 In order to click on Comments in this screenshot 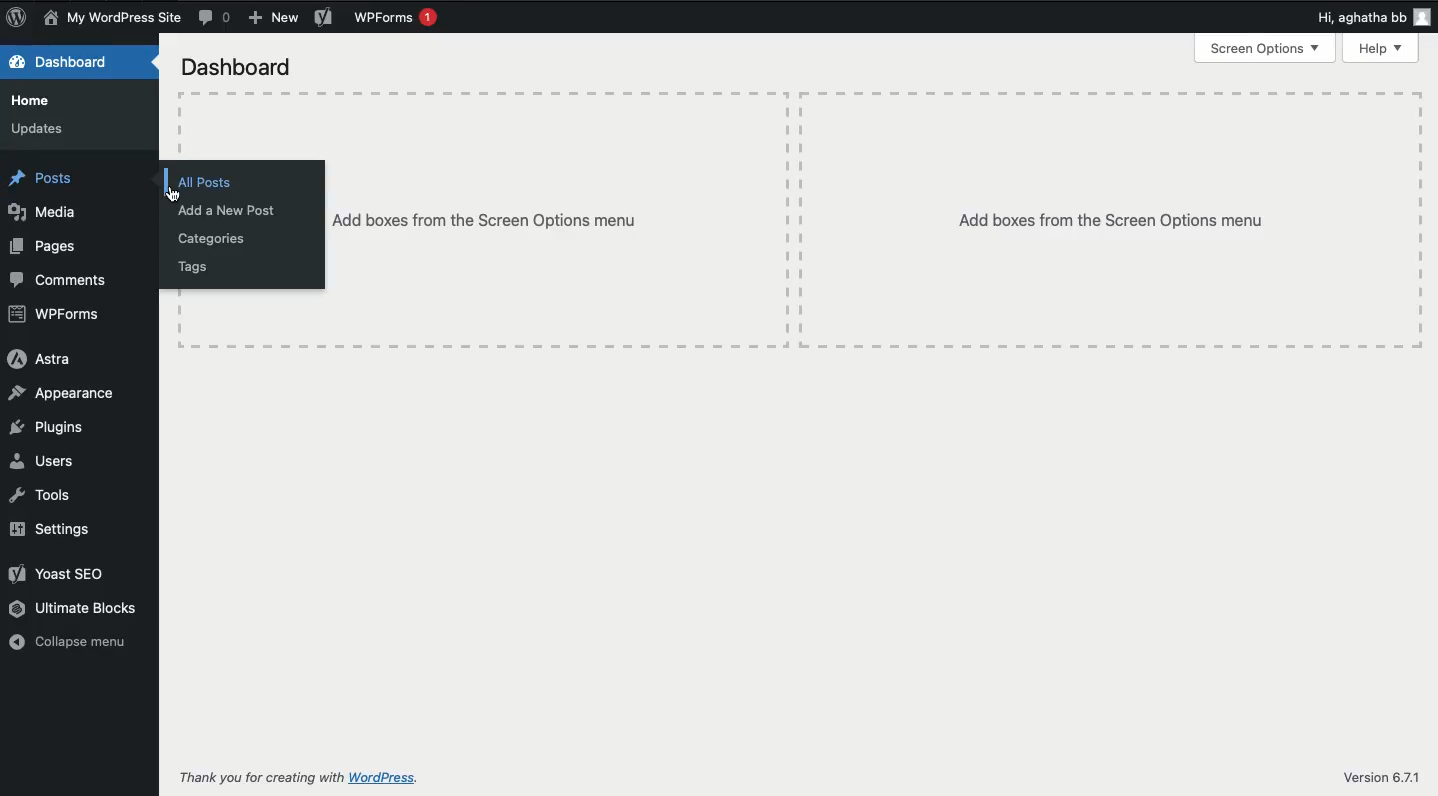, I will do `click(59, 279)`.